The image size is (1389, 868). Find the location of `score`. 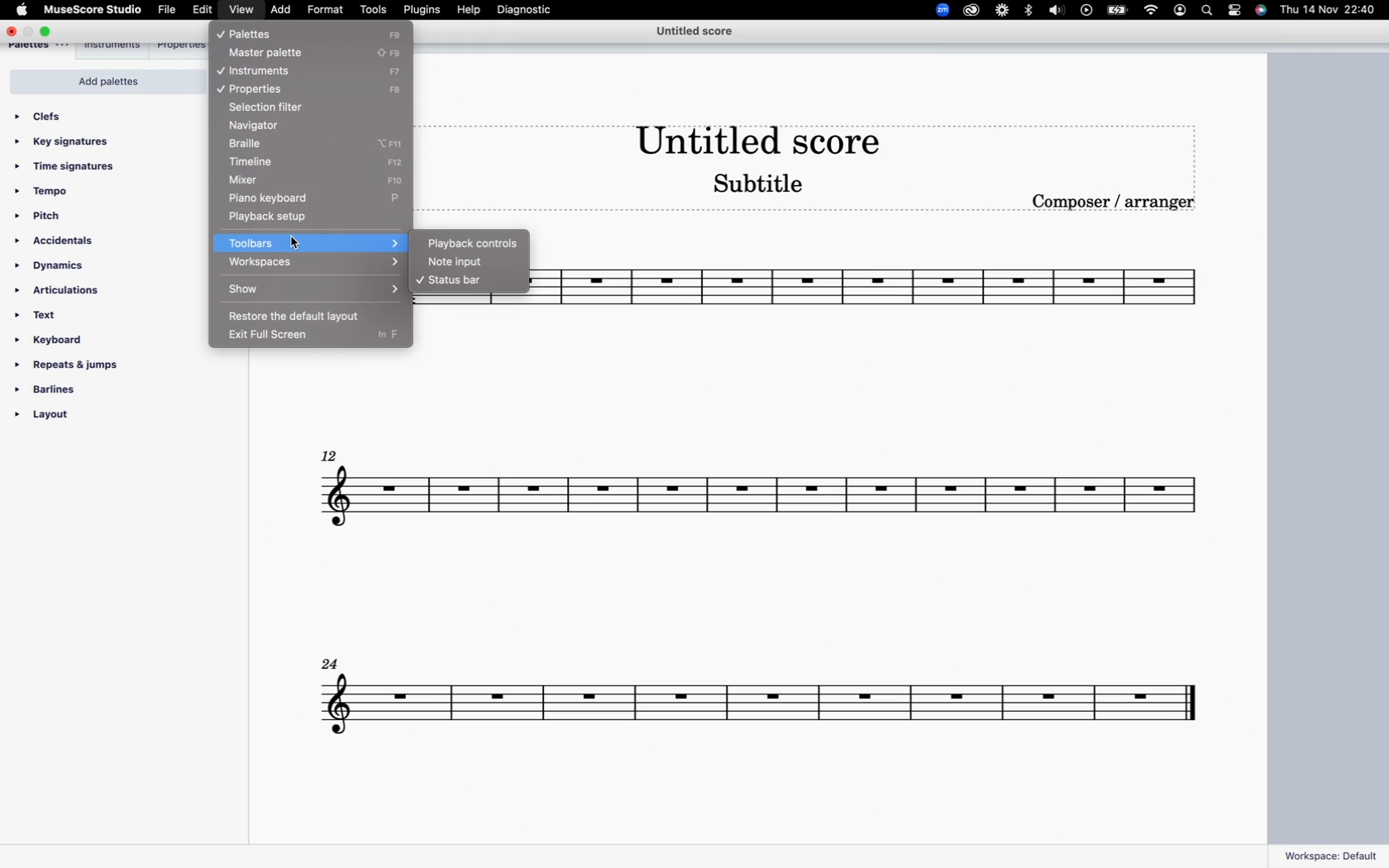

score is located at coordinates (757, 503).